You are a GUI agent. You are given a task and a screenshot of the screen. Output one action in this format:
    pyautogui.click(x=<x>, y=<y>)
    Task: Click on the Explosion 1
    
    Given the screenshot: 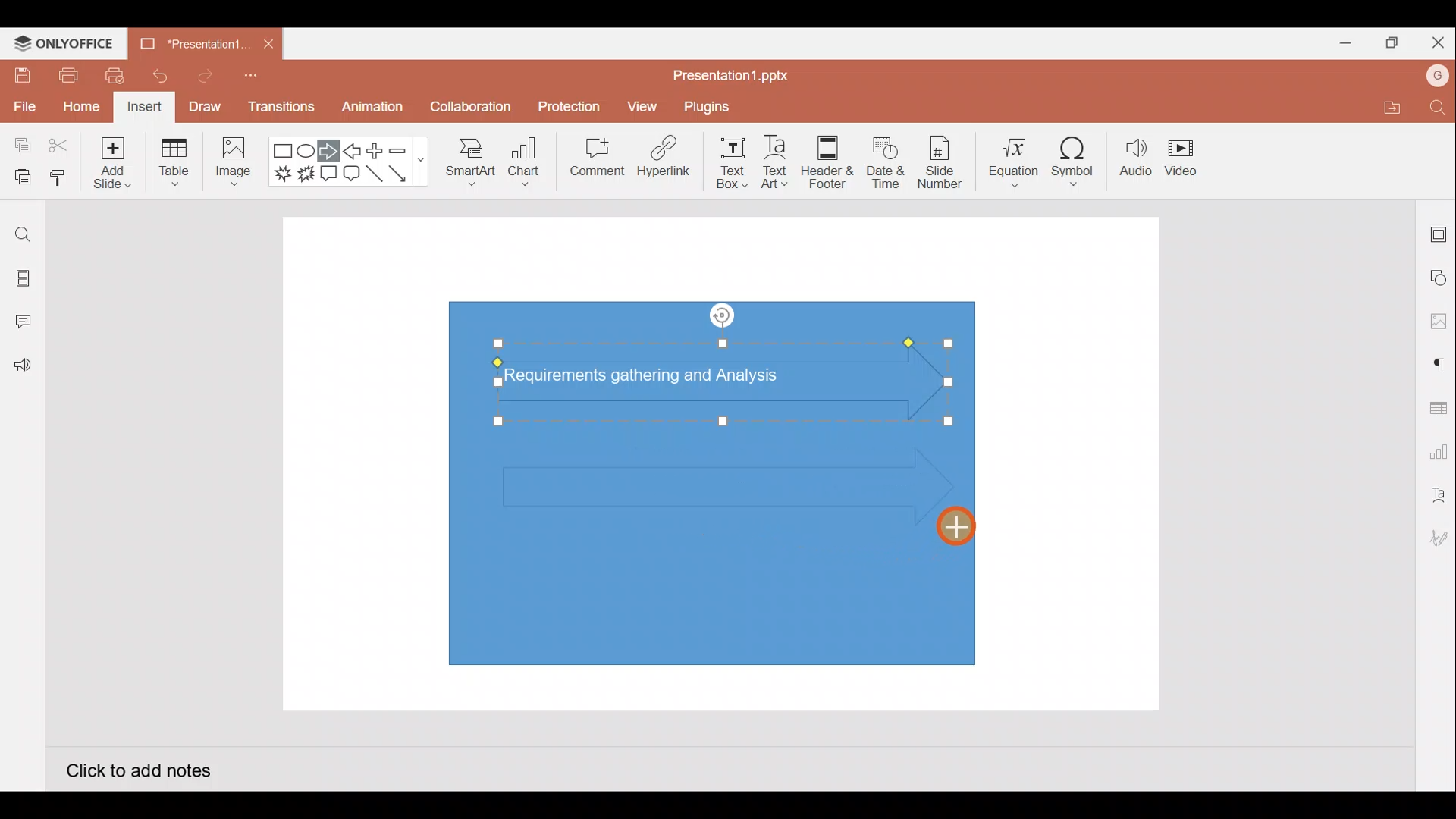 What is the action you would take?
    pyautogui.click(x=283, y=173)
    